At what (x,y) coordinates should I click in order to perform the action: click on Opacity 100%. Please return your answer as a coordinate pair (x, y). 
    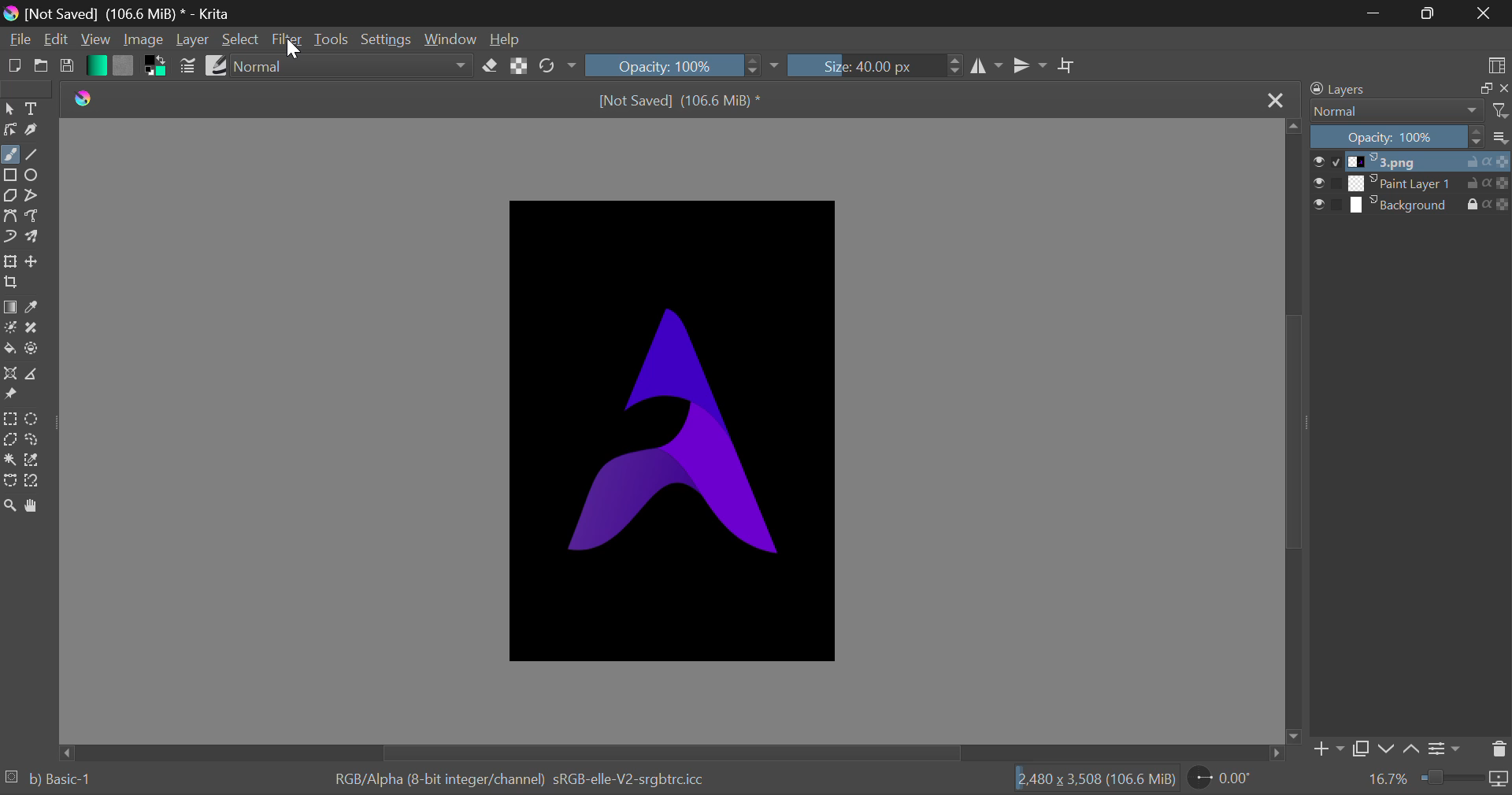
    Looking at the image, I should click on (1397, 137).